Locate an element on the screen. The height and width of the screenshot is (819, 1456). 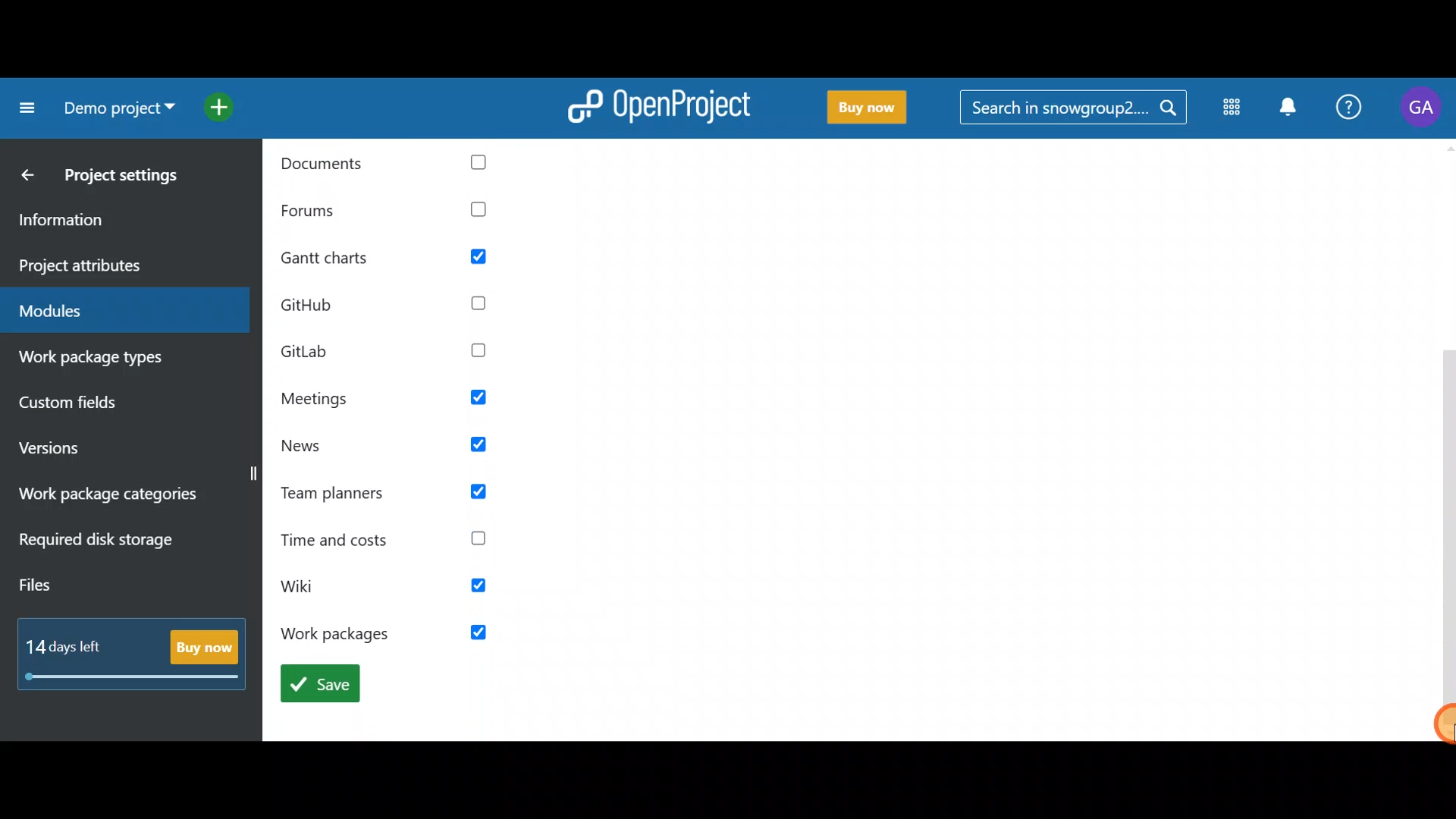
Open quick add menu is located at coordinates (223, 106).